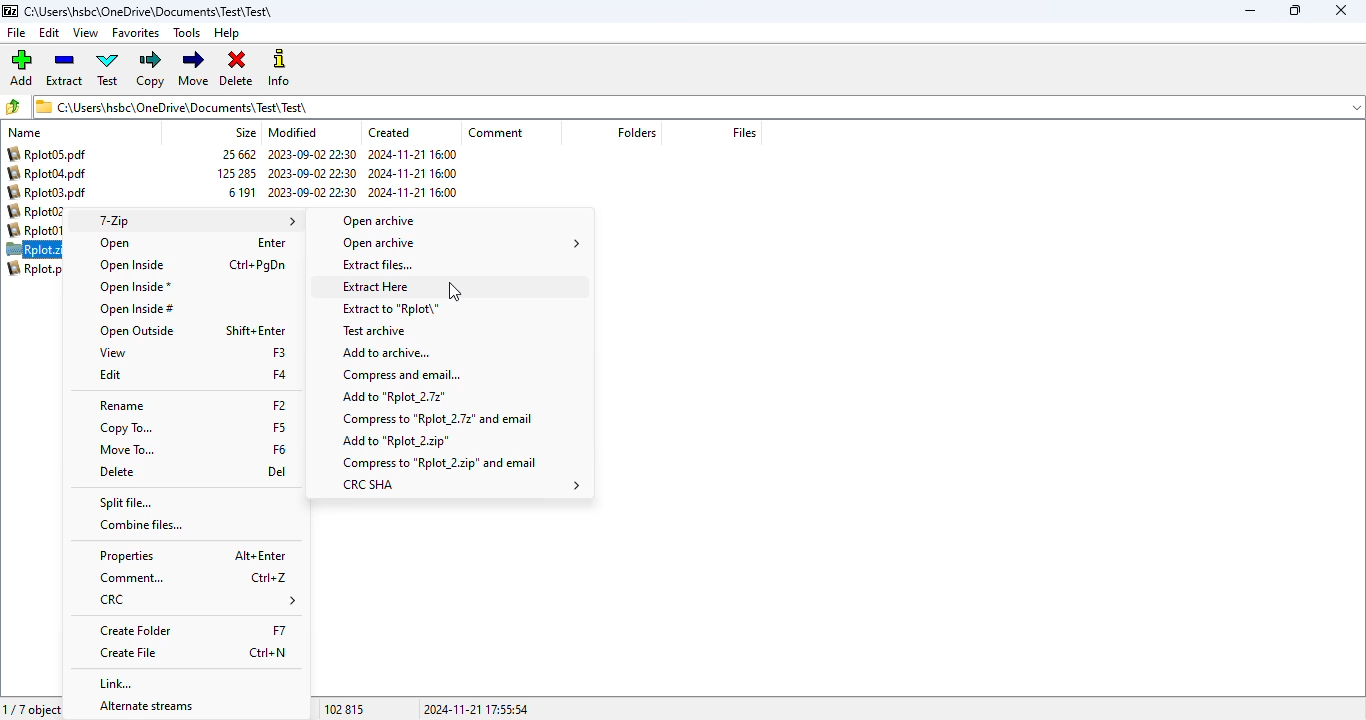 The width and height of the screenshot is (1366, 720). Describe the element at coordinates (385, 352) in the screenshot. I see `add to archive` at that location.